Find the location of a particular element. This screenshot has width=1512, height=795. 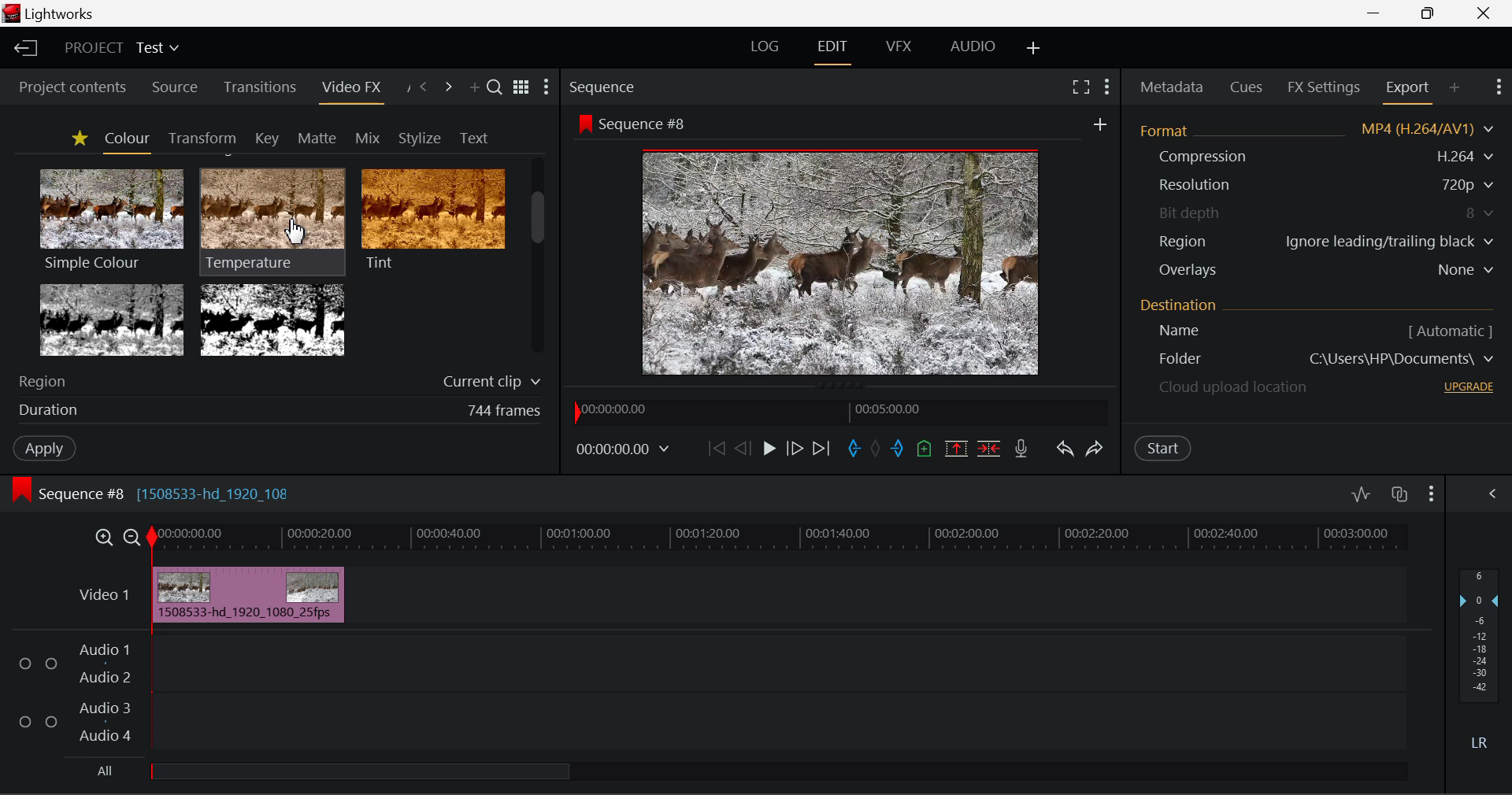

AUDIO Layout is located at coordinates (973, 46).